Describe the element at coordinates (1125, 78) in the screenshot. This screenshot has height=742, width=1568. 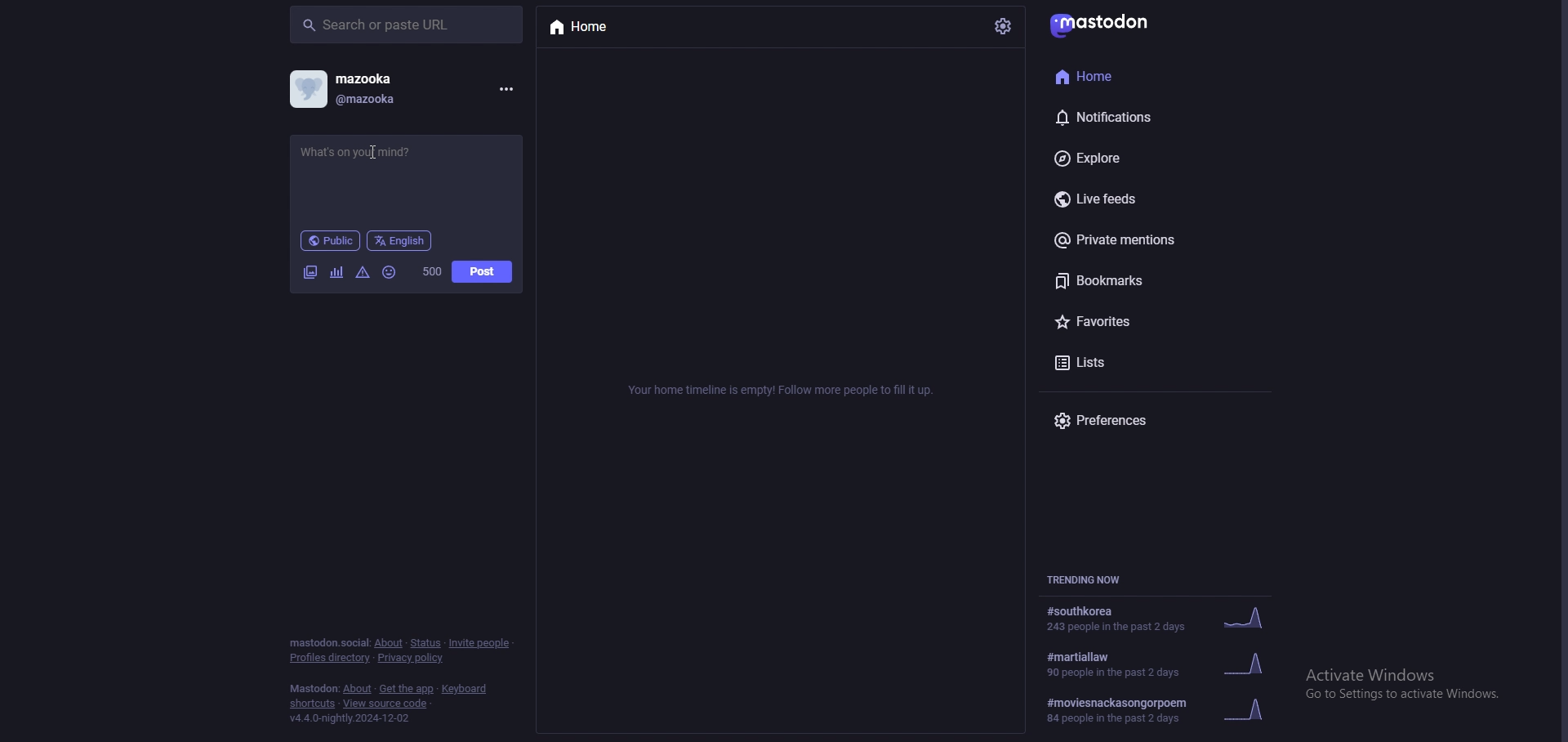
I see `home` at that location.